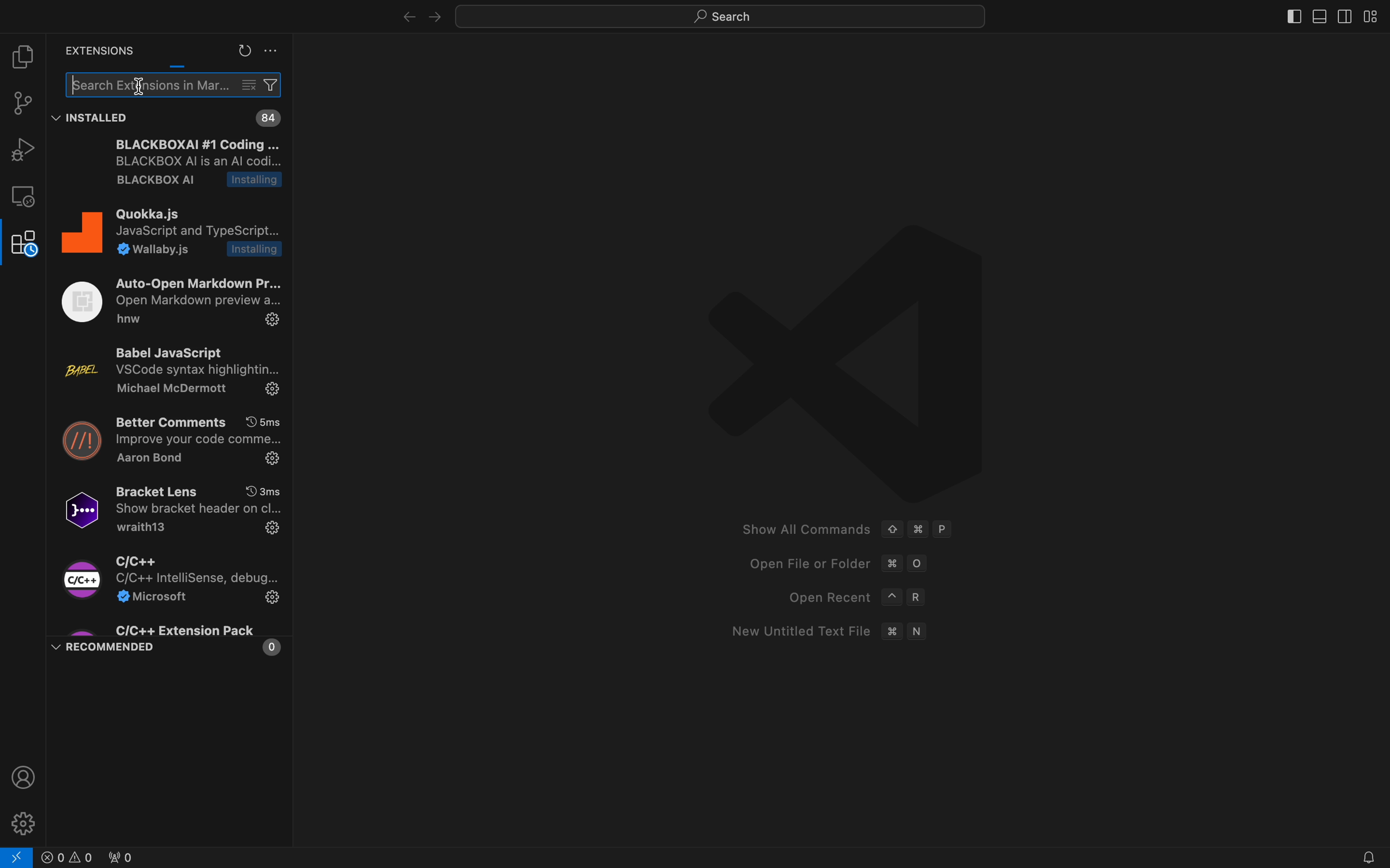  What do you see at coordinates (1291, 16) in the screenshot?
I see `toggle bar` at bounding box center [1291, 16].